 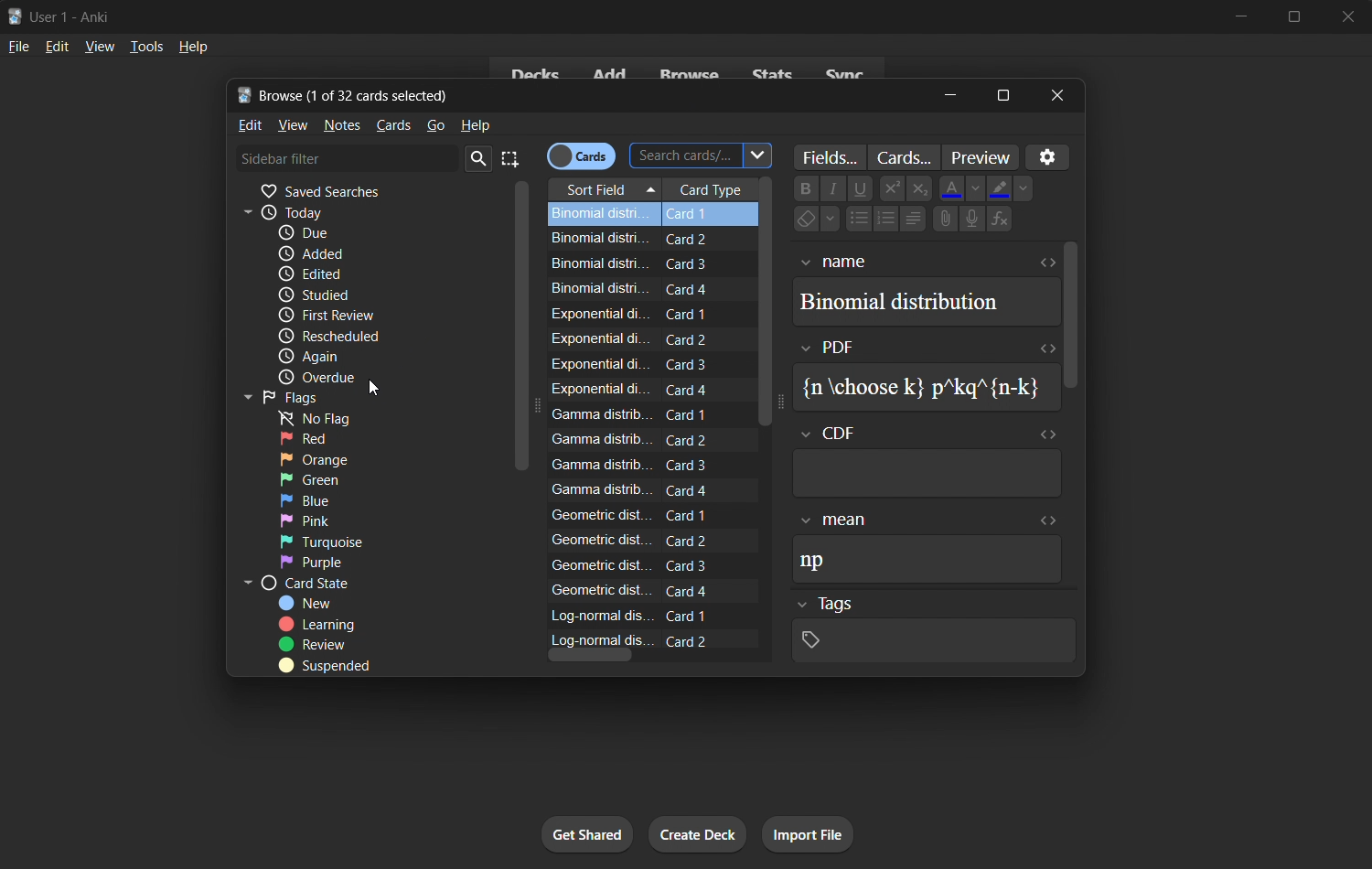 What do you see at coordinates (691, 70) in the screenshot?
I see `browse` at bounding box center [691, 70].